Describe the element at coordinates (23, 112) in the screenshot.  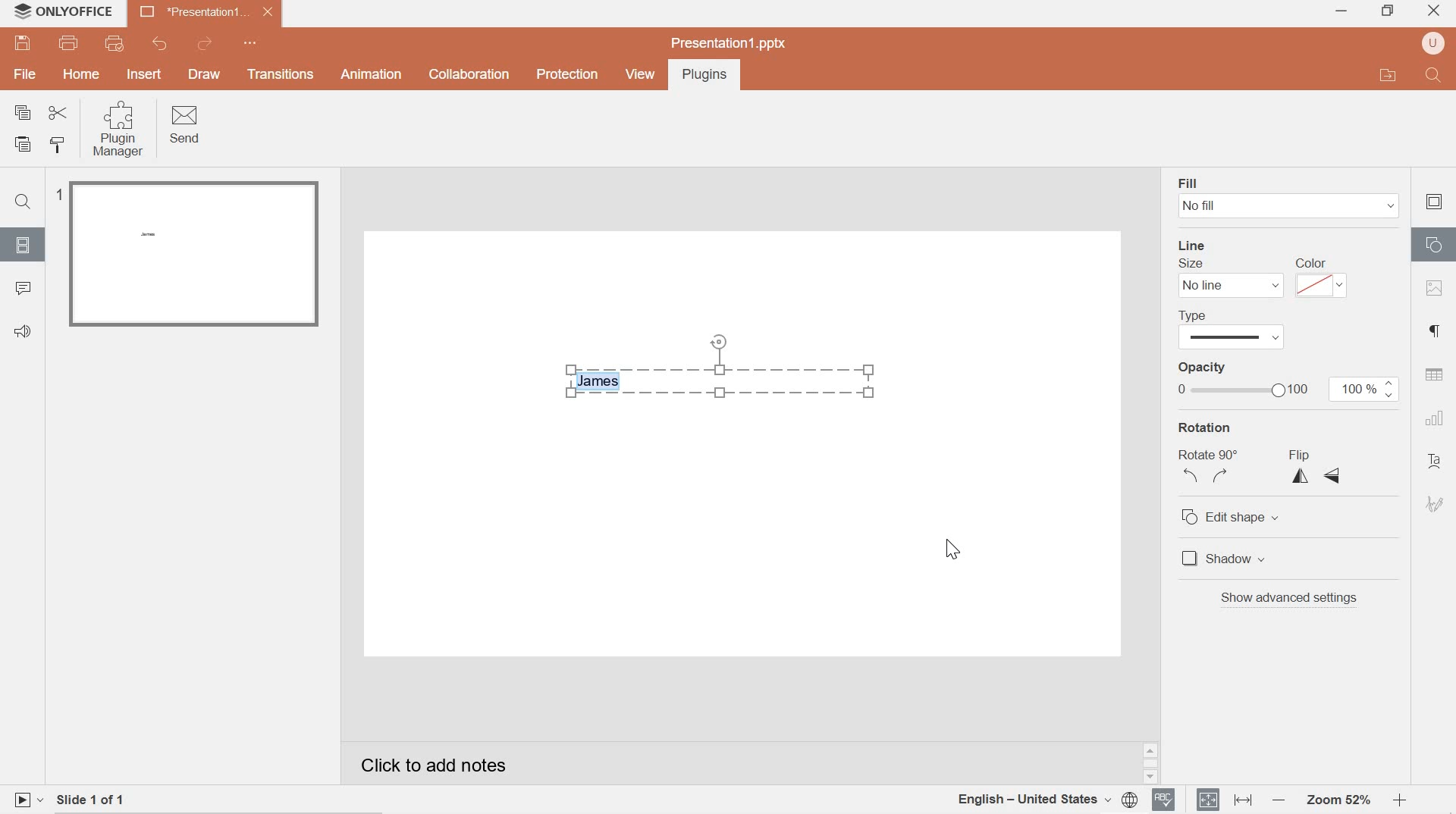
I see `copy` at that location.